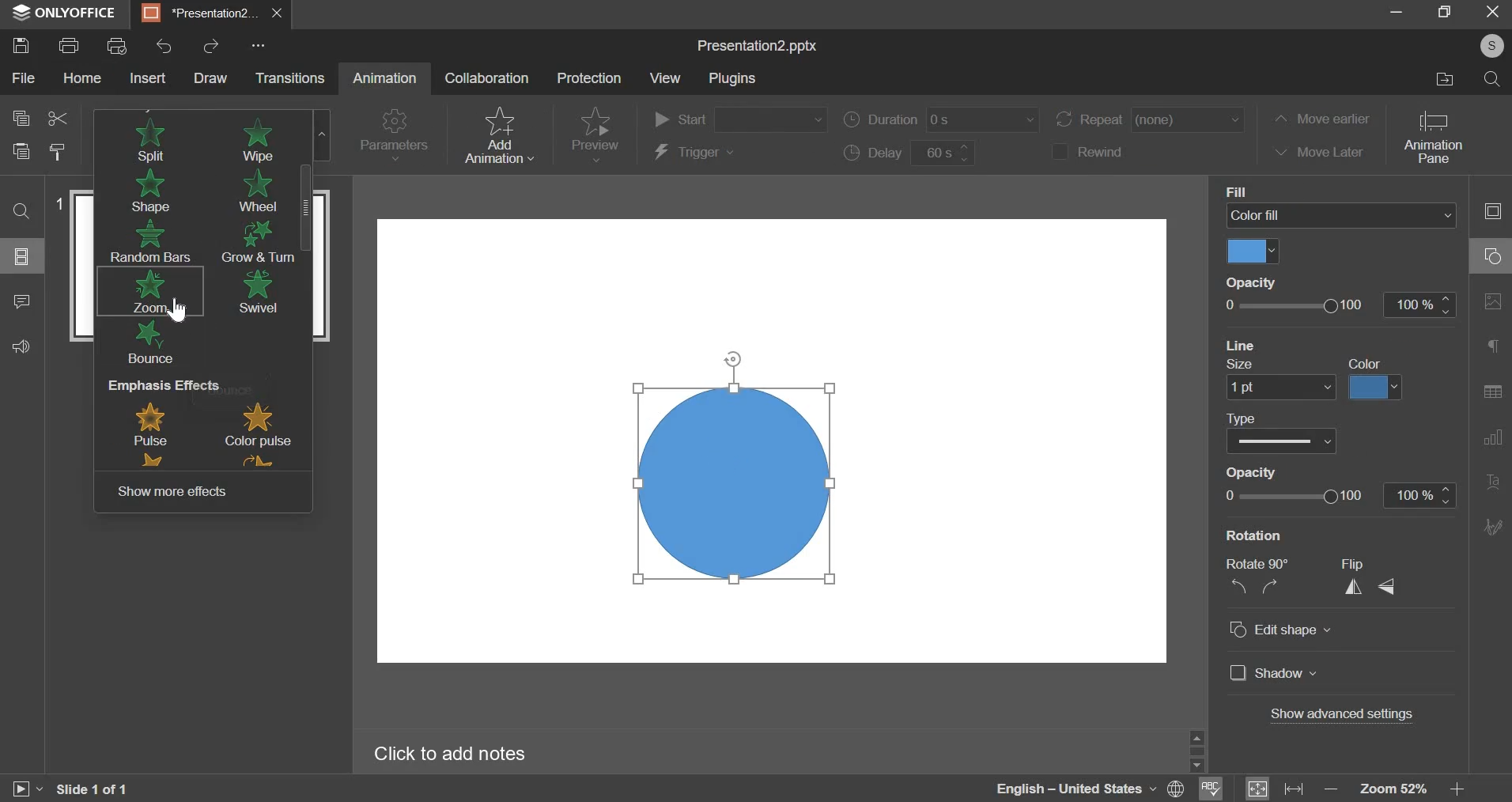  What do you see at coordinates (1297, 414) in the screenshot?
I see `apply to all slides` at bounding box center [1297, 414].